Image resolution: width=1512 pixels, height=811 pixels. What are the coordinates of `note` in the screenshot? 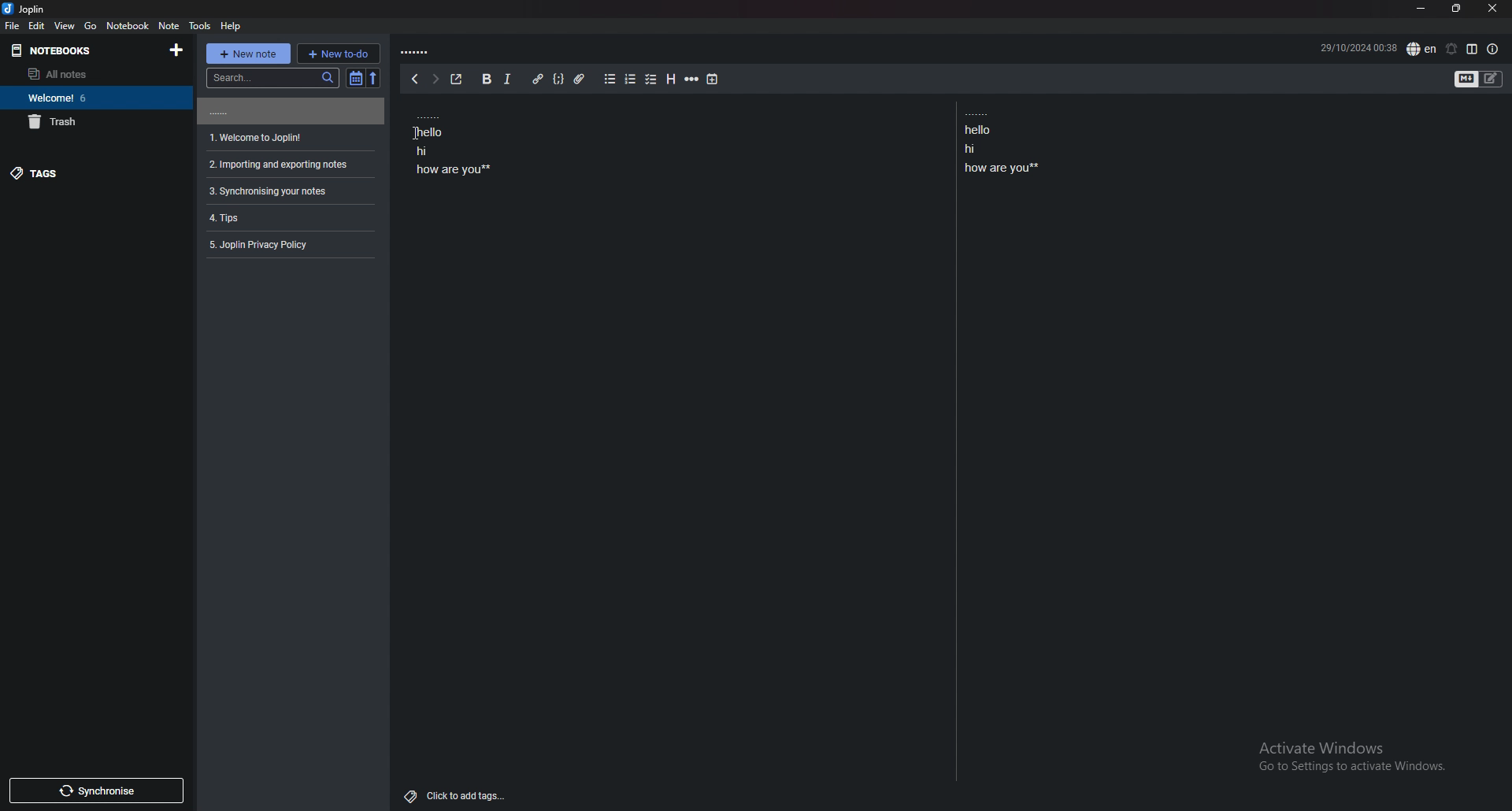 It's located at (288, 165).